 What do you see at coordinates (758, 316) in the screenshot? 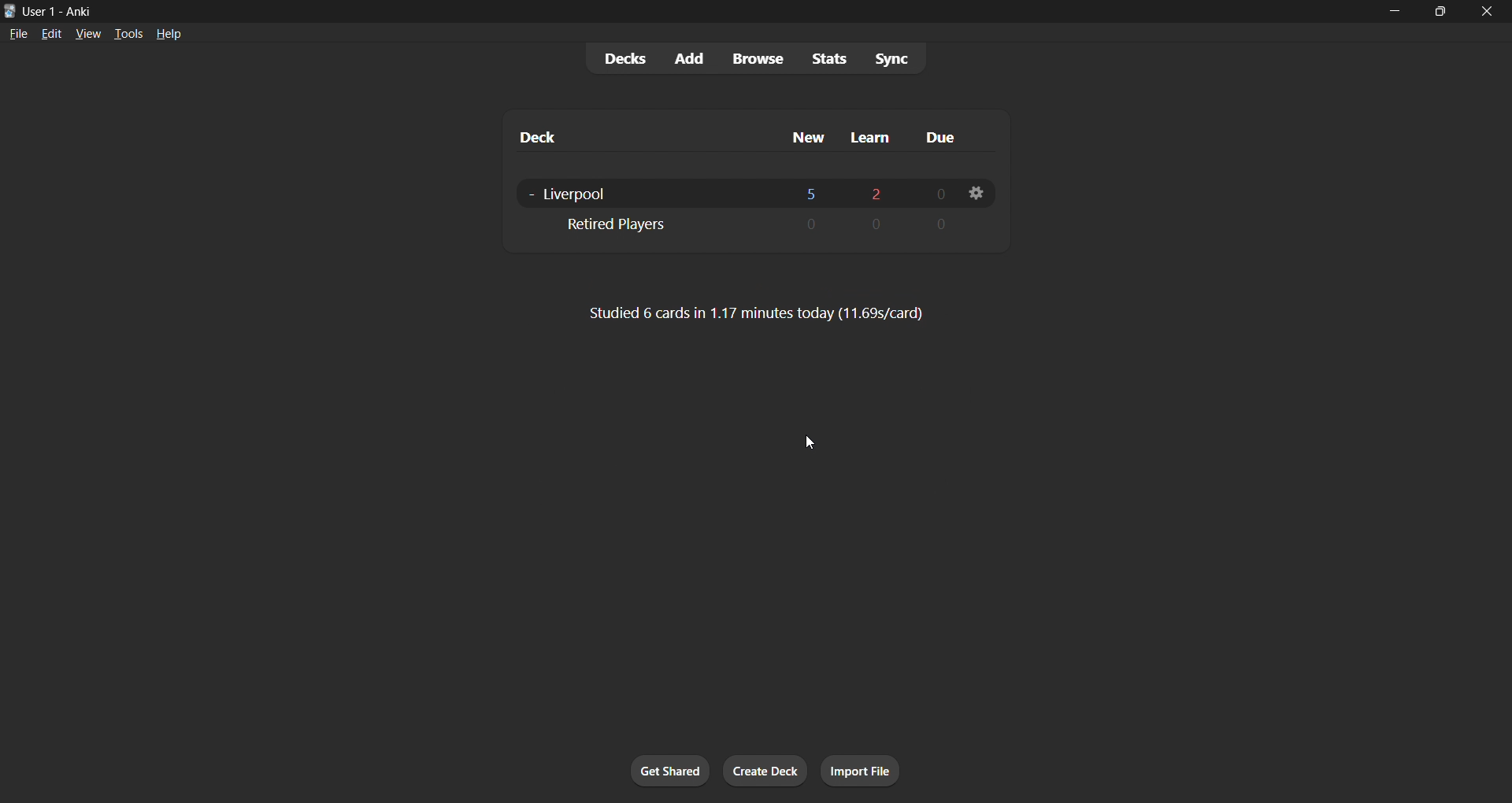
I see `card stats` at bounding box center [758, 316].